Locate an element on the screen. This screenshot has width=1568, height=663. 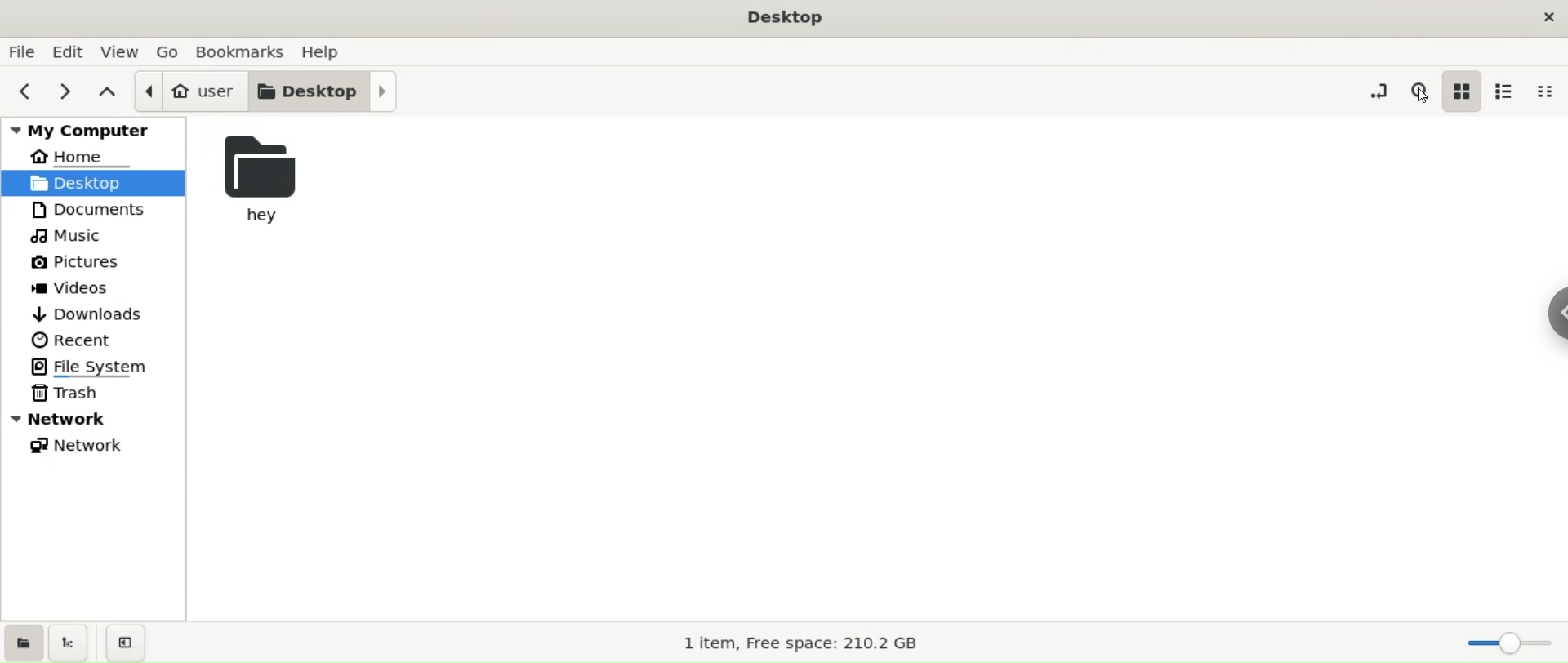
cursor is located at coordinates (1421, 95).